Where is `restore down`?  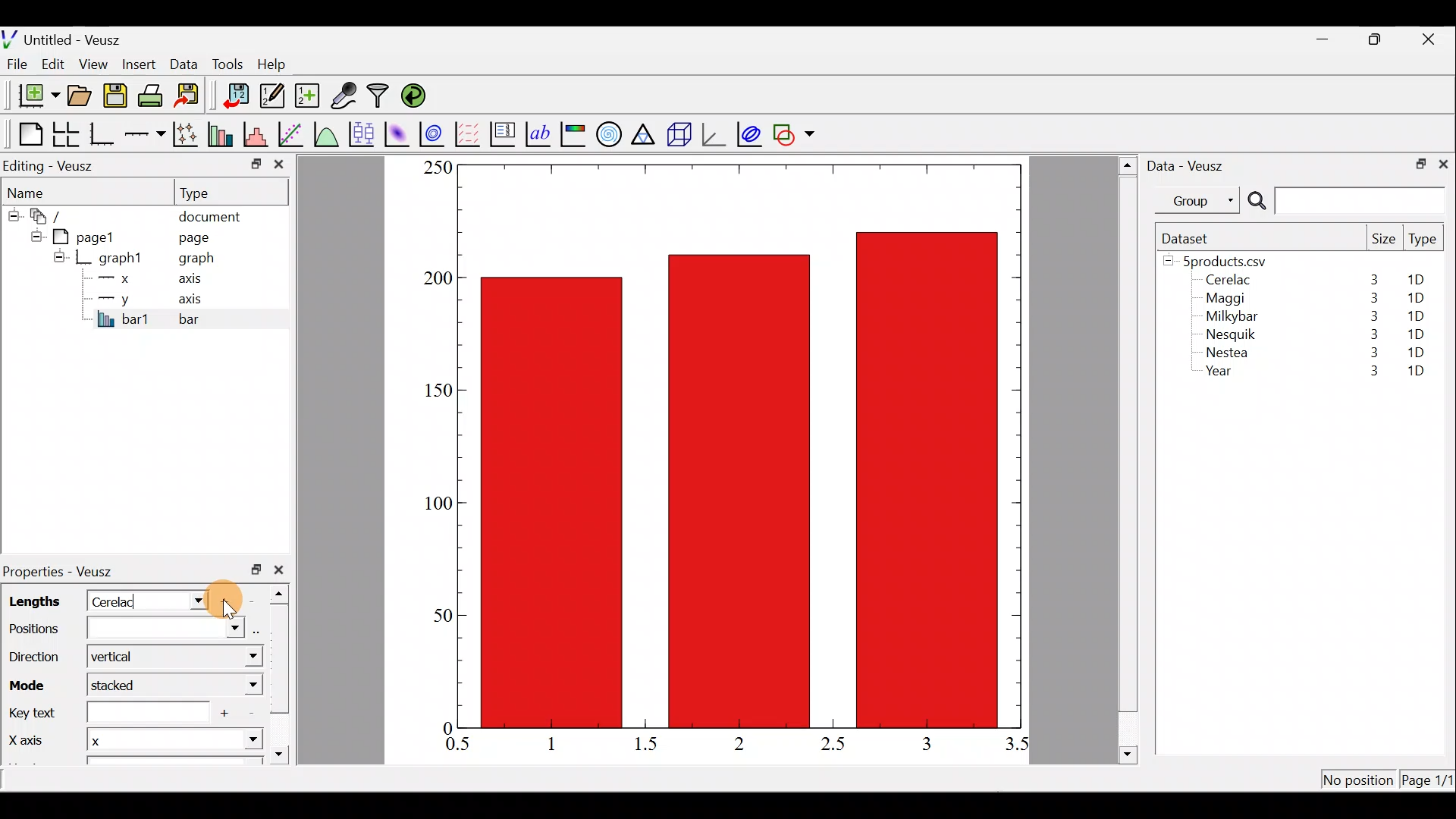 restore down is located at coordinates (1377, 39).